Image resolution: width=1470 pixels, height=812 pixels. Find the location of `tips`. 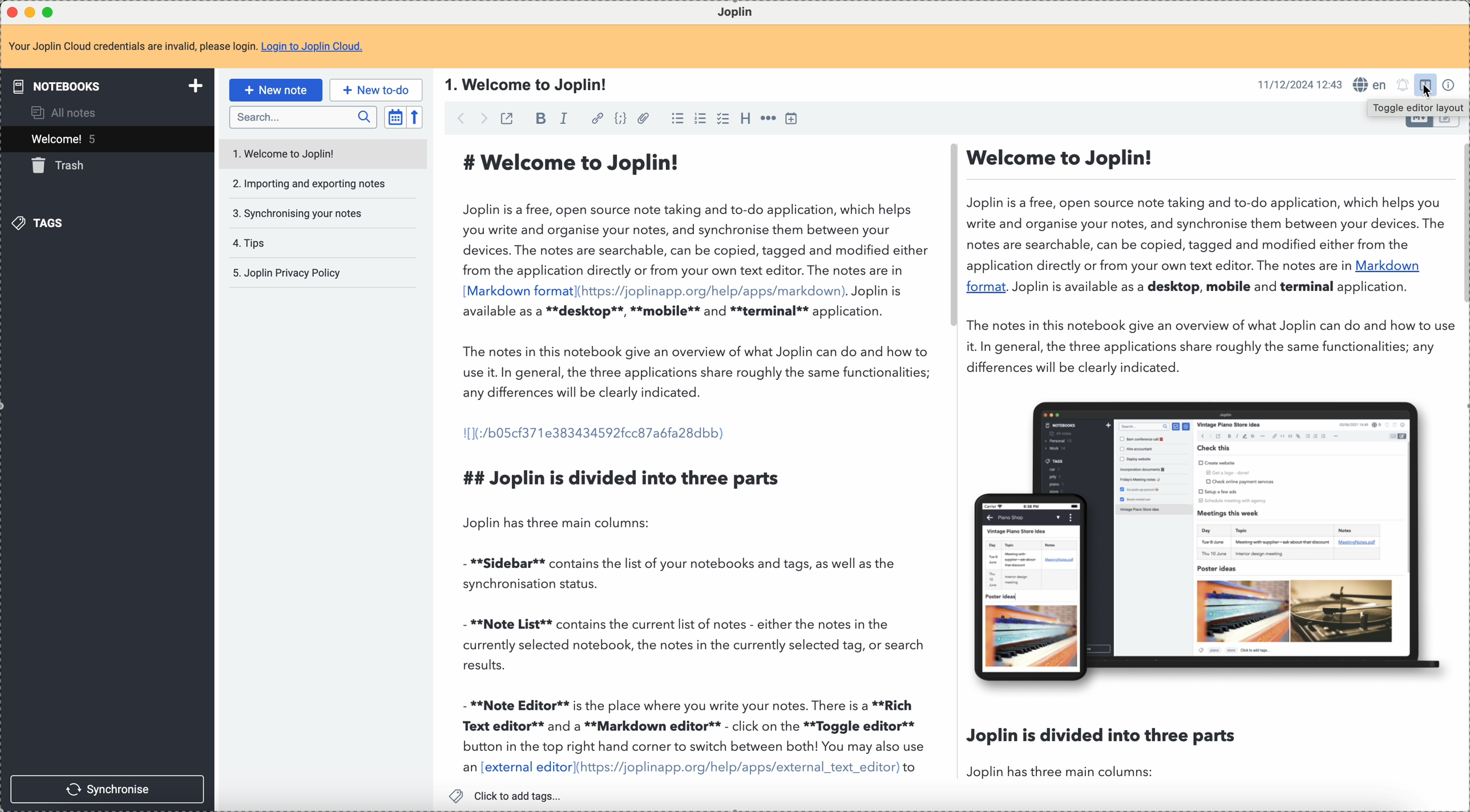

tips is located at coordinates (250, 242).